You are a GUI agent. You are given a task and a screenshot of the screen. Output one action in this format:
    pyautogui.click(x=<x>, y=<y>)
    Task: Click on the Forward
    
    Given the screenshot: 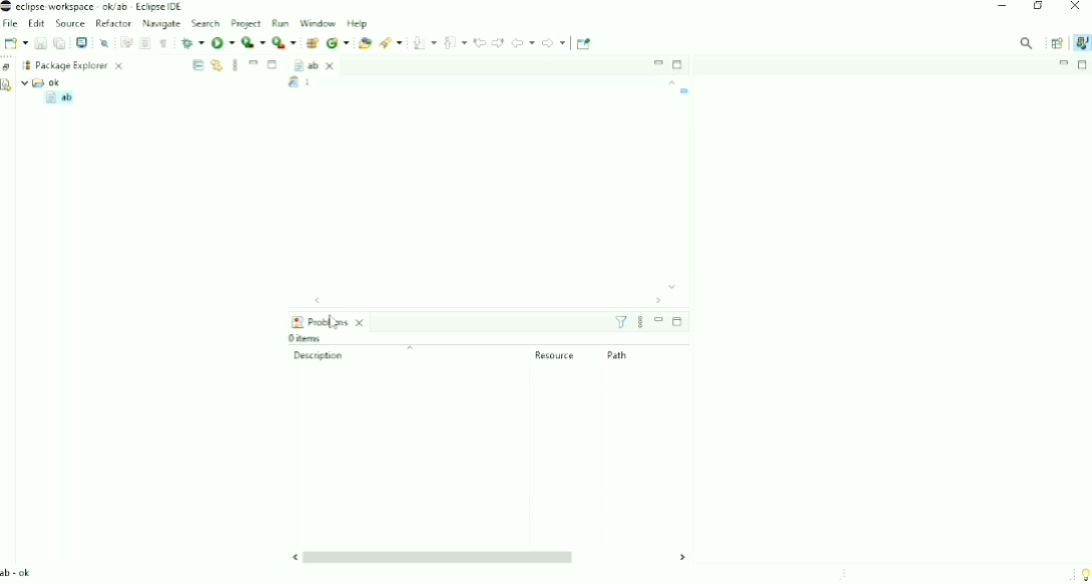 What is the action you would take?
    pyautogui.click(x=554, y=43)
    